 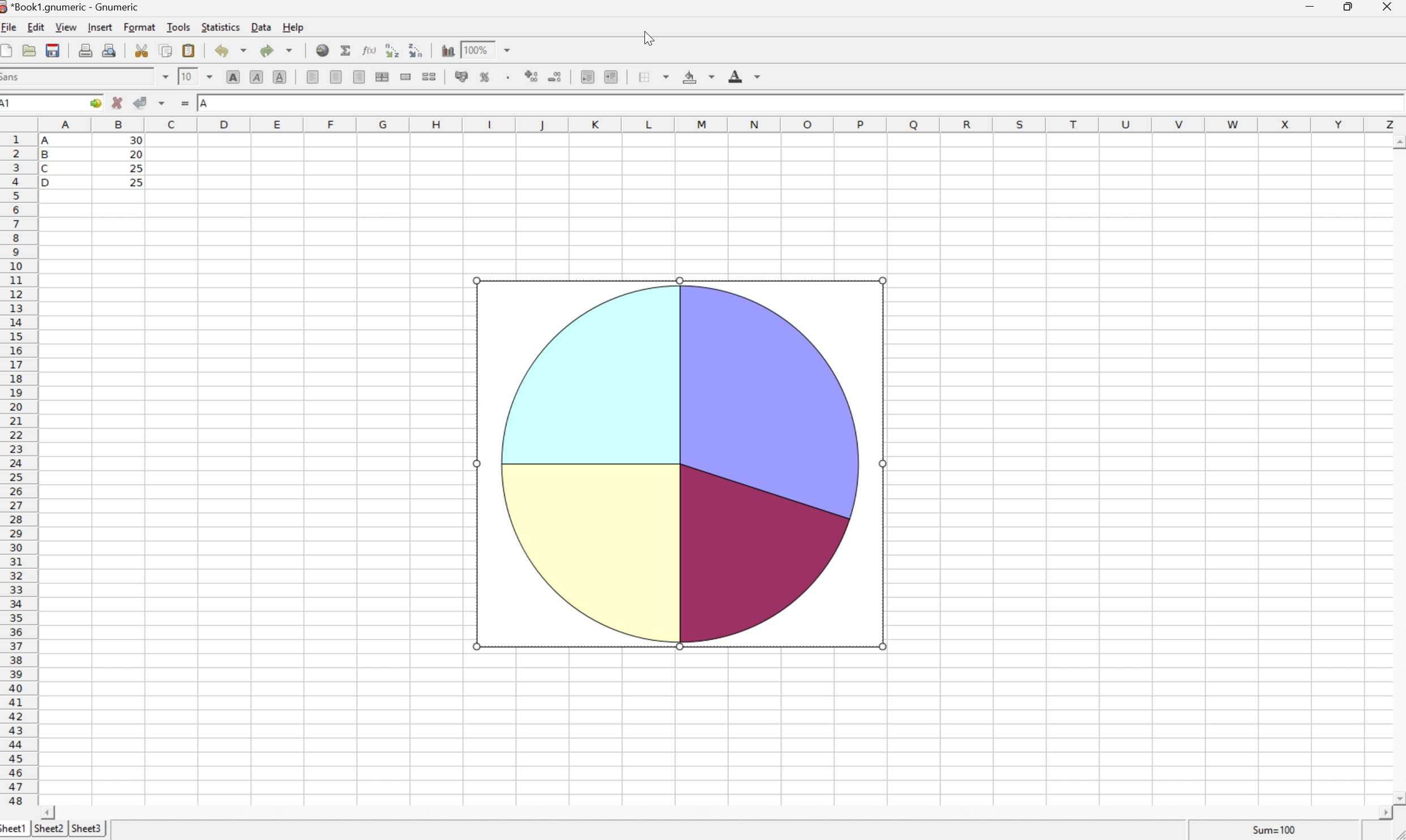 I want to click on Set the format of the selected cells to include a thousands separator, so click(x=507, y=78).